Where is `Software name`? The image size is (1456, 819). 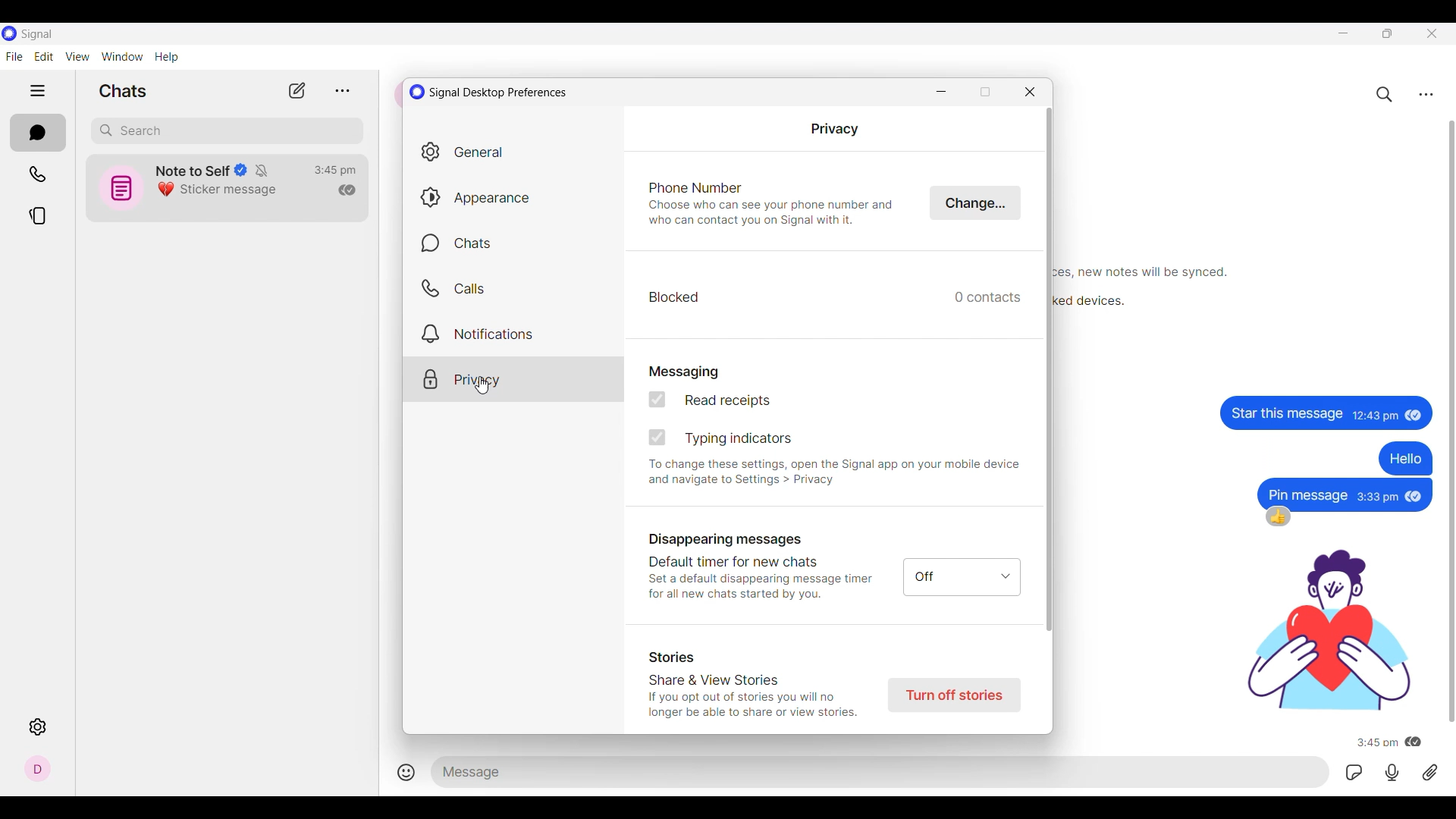
Software name is located at coordinates (36, 35).